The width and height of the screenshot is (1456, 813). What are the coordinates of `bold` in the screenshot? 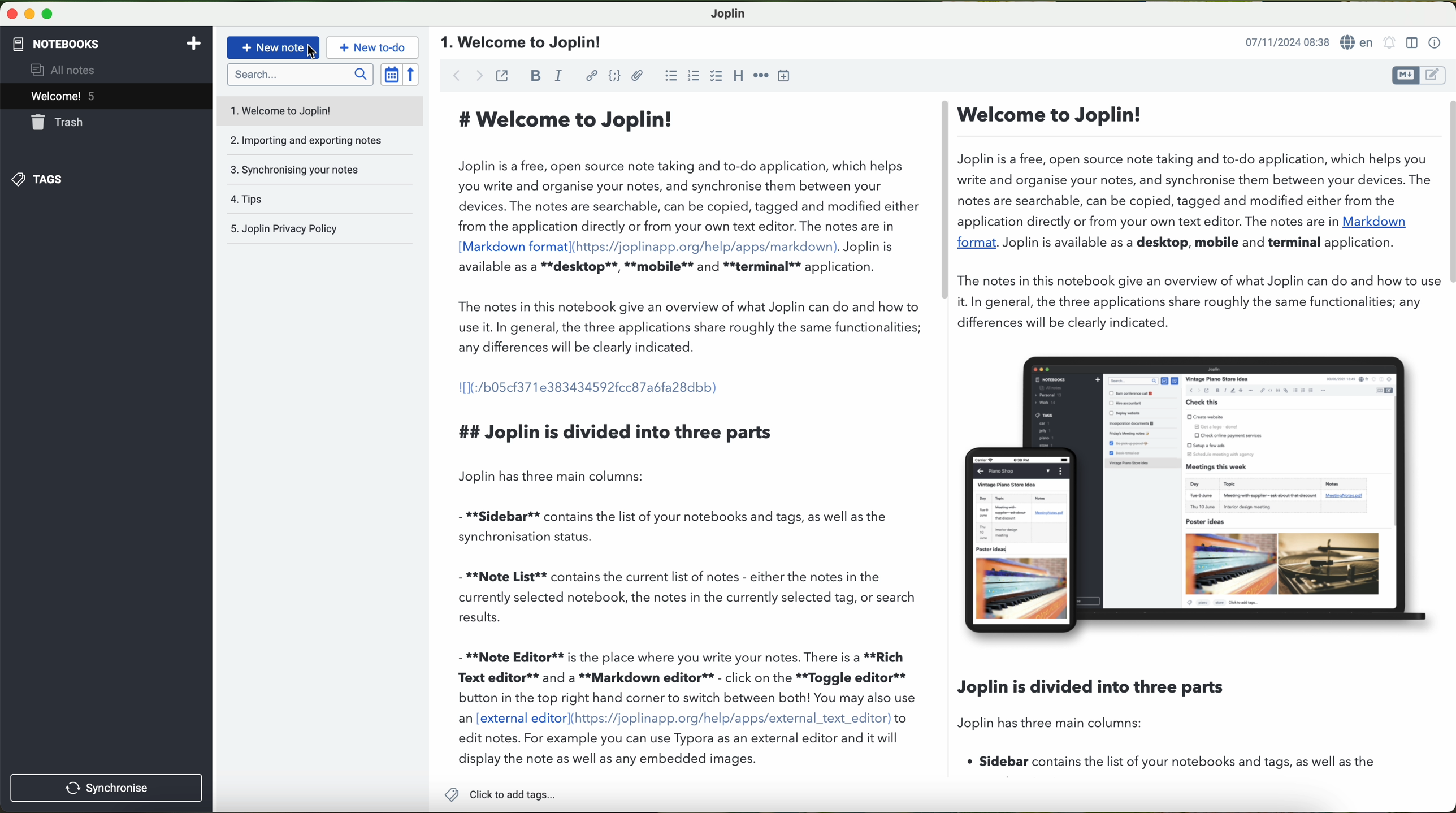 It's located at (536, 76).